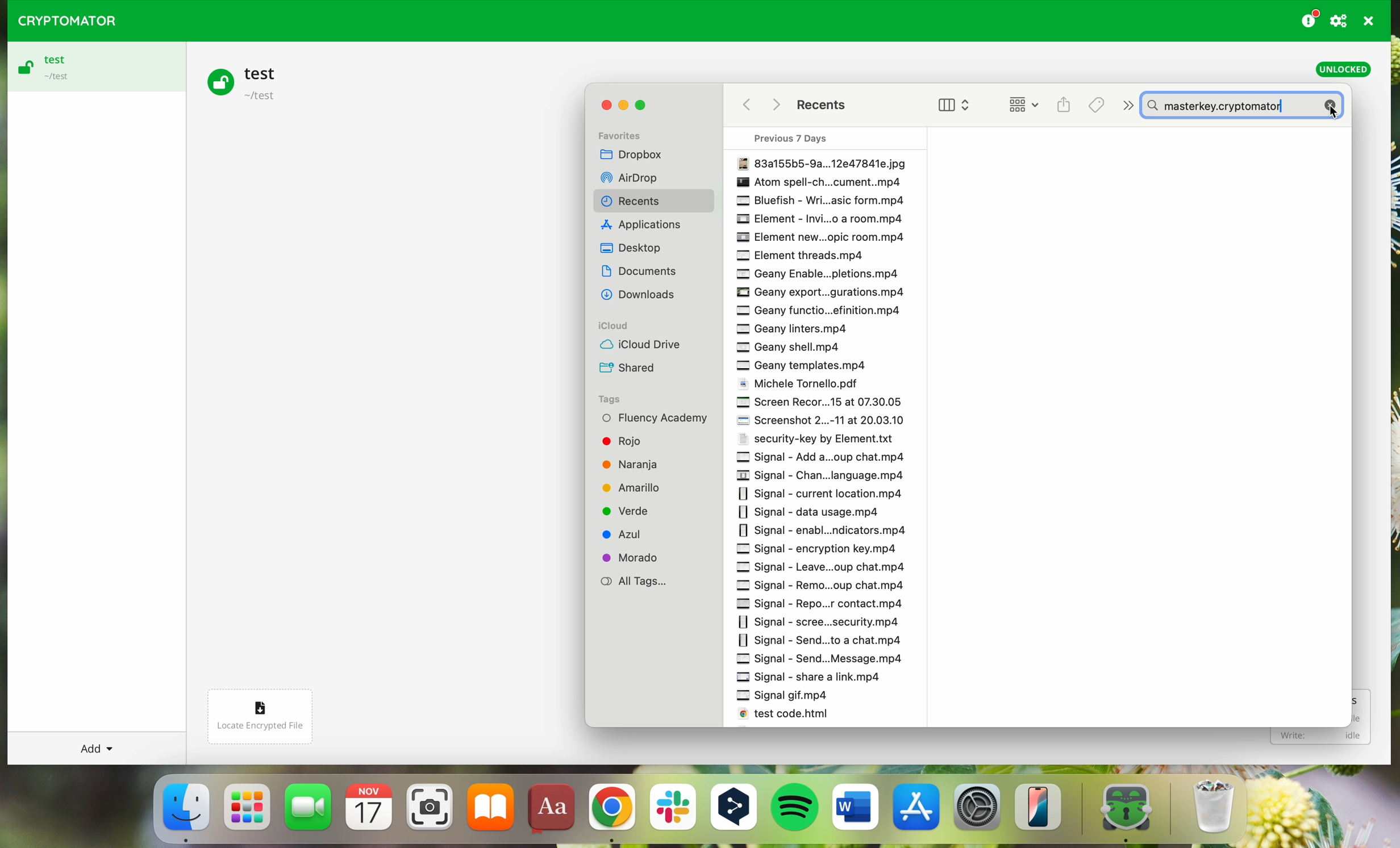  Describe the element at coordinates (1097, 103) in the screenshot. I see `Tags` at that location.